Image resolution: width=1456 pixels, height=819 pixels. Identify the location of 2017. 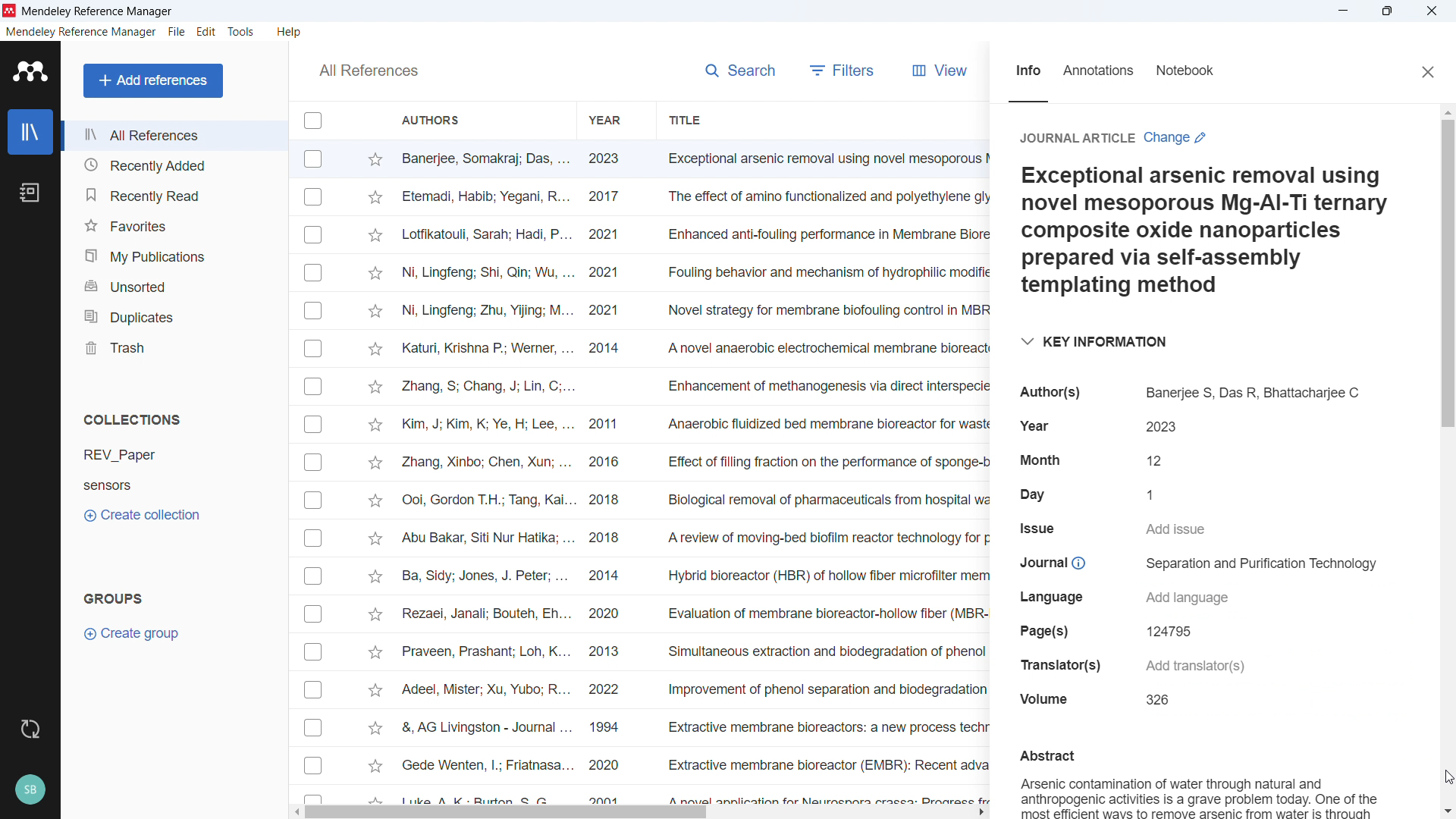
(610, 198).